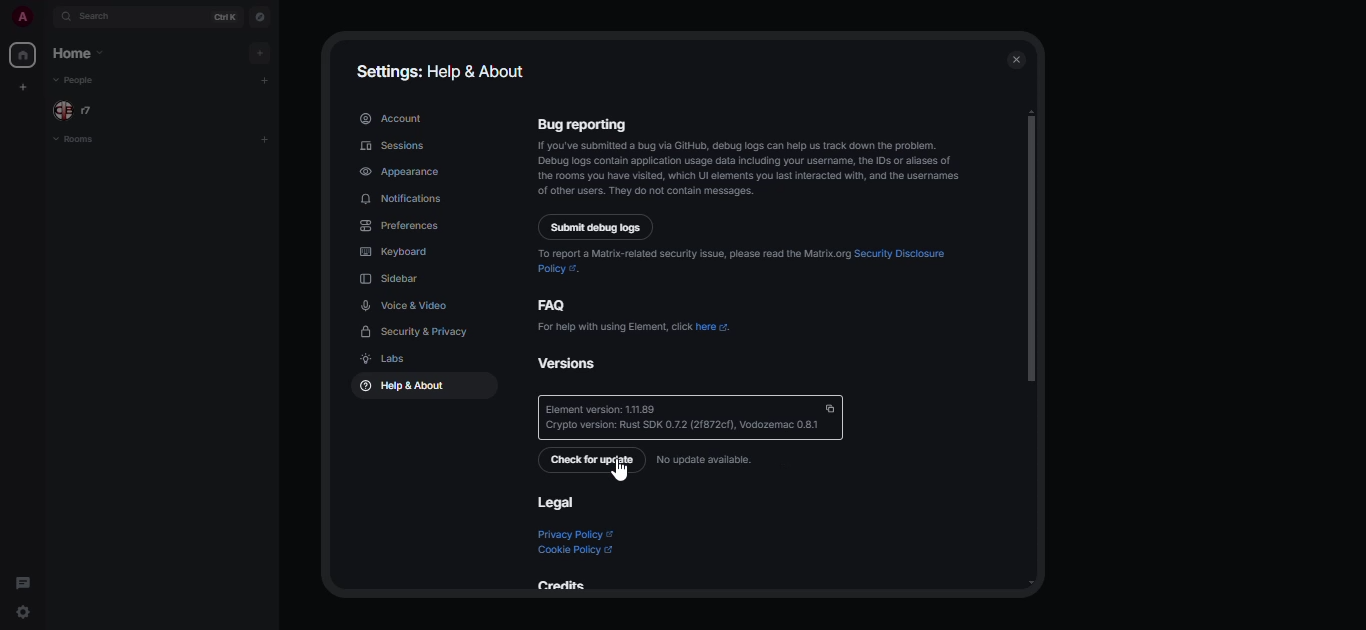 This screenshot has width=1366, height=630. Describe the element at coordinates (46, 16) in the screenshot. I see `expand` at that location.